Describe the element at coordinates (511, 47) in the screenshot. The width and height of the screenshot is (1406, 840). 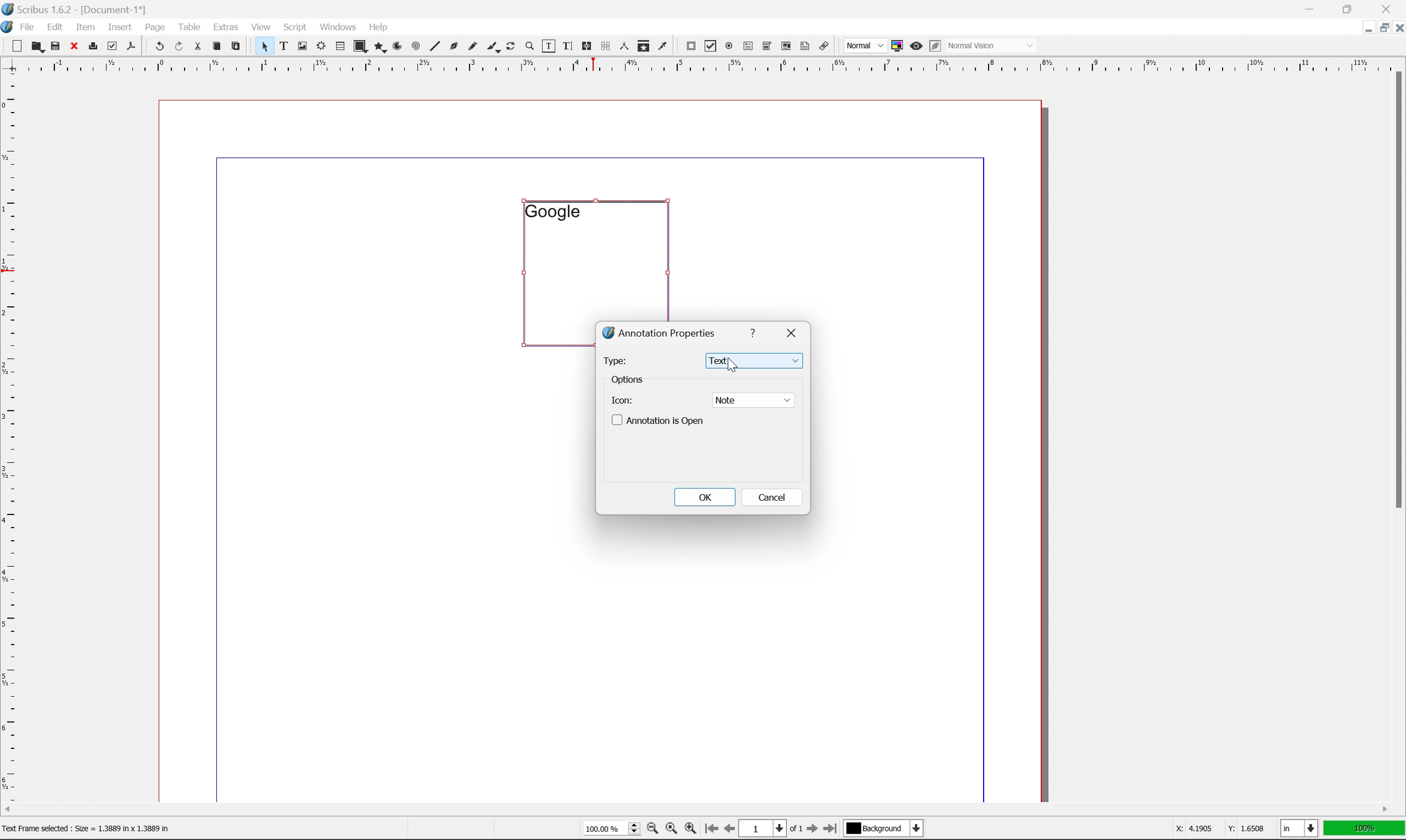
I see `rotate item` at that location.